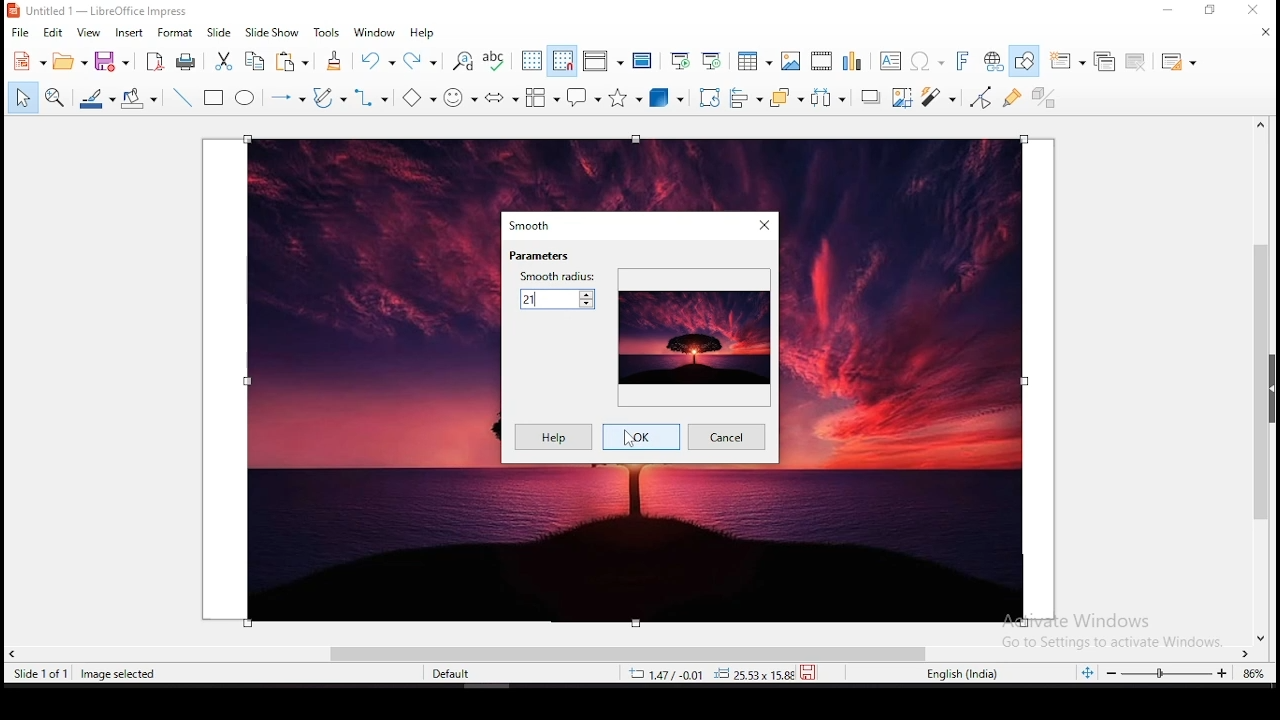 This screenshot has height=720, width=1280. I want to click on insert video, so click(821, 62).